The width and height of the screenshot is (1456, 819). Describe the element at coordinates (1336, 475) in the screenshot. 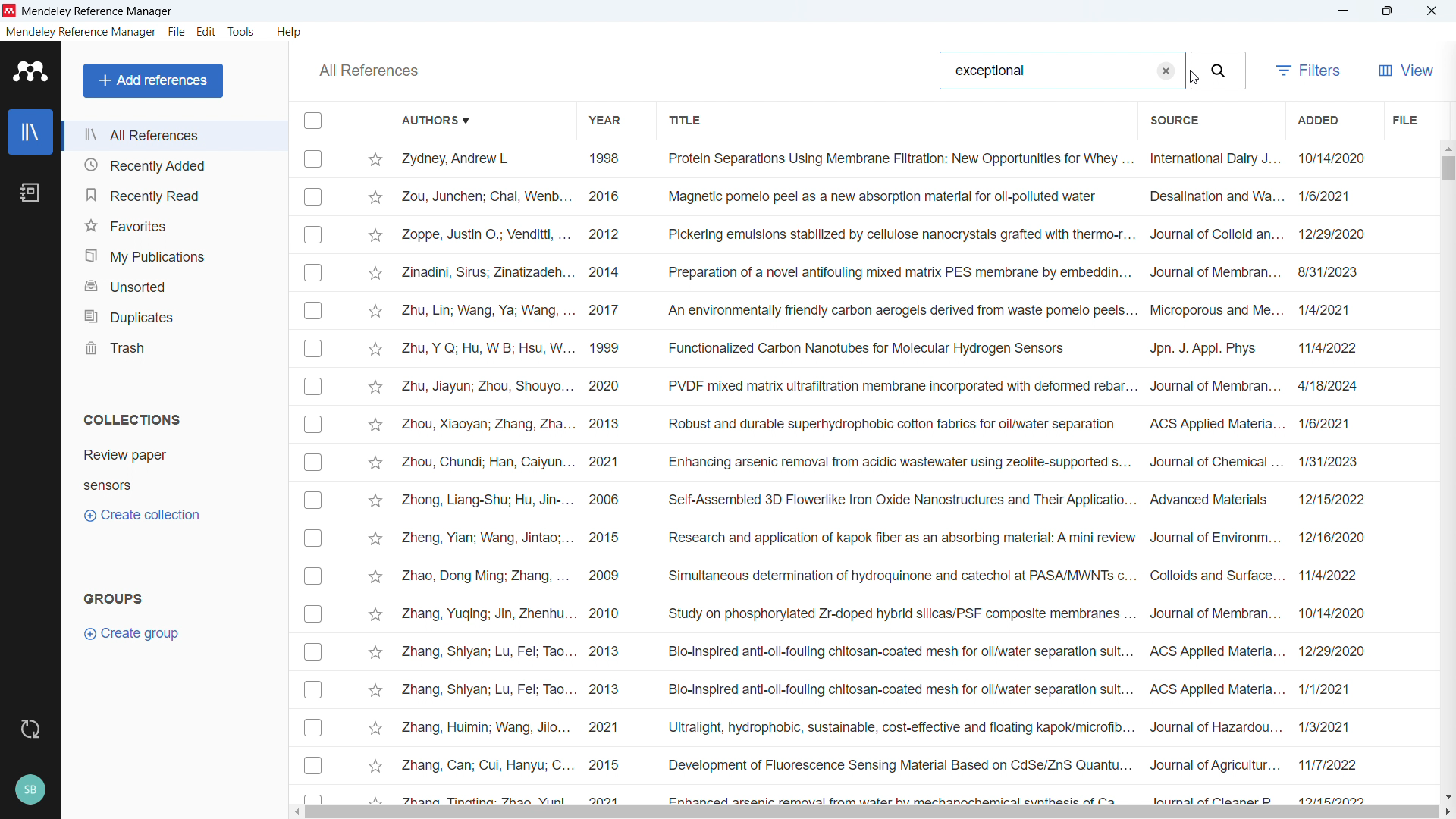

I see `Dates of adding individual entries ` at that location.